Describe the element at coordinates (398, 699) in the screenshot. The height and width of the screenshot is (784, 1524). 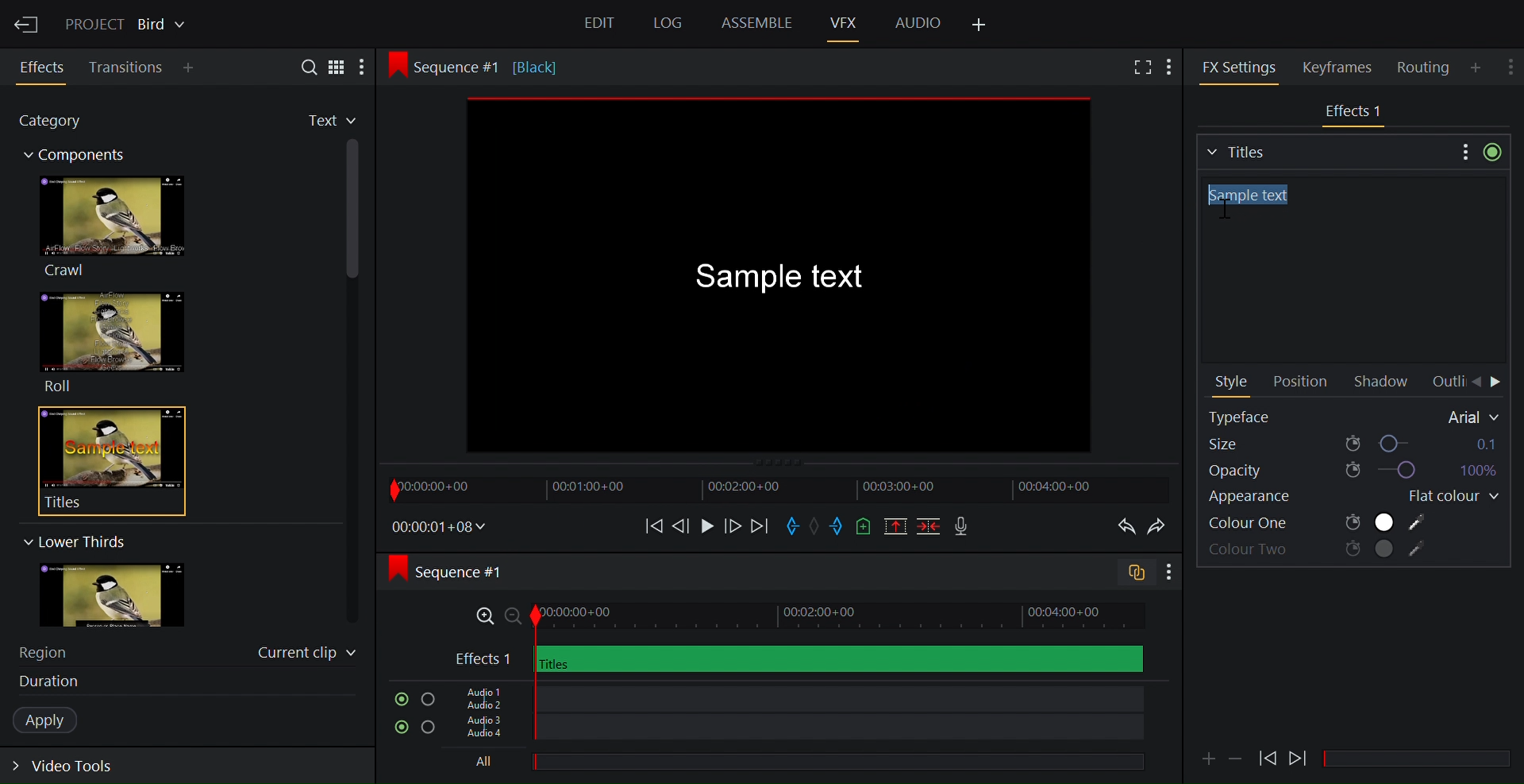
I see `Mute/Unmute` at that location.